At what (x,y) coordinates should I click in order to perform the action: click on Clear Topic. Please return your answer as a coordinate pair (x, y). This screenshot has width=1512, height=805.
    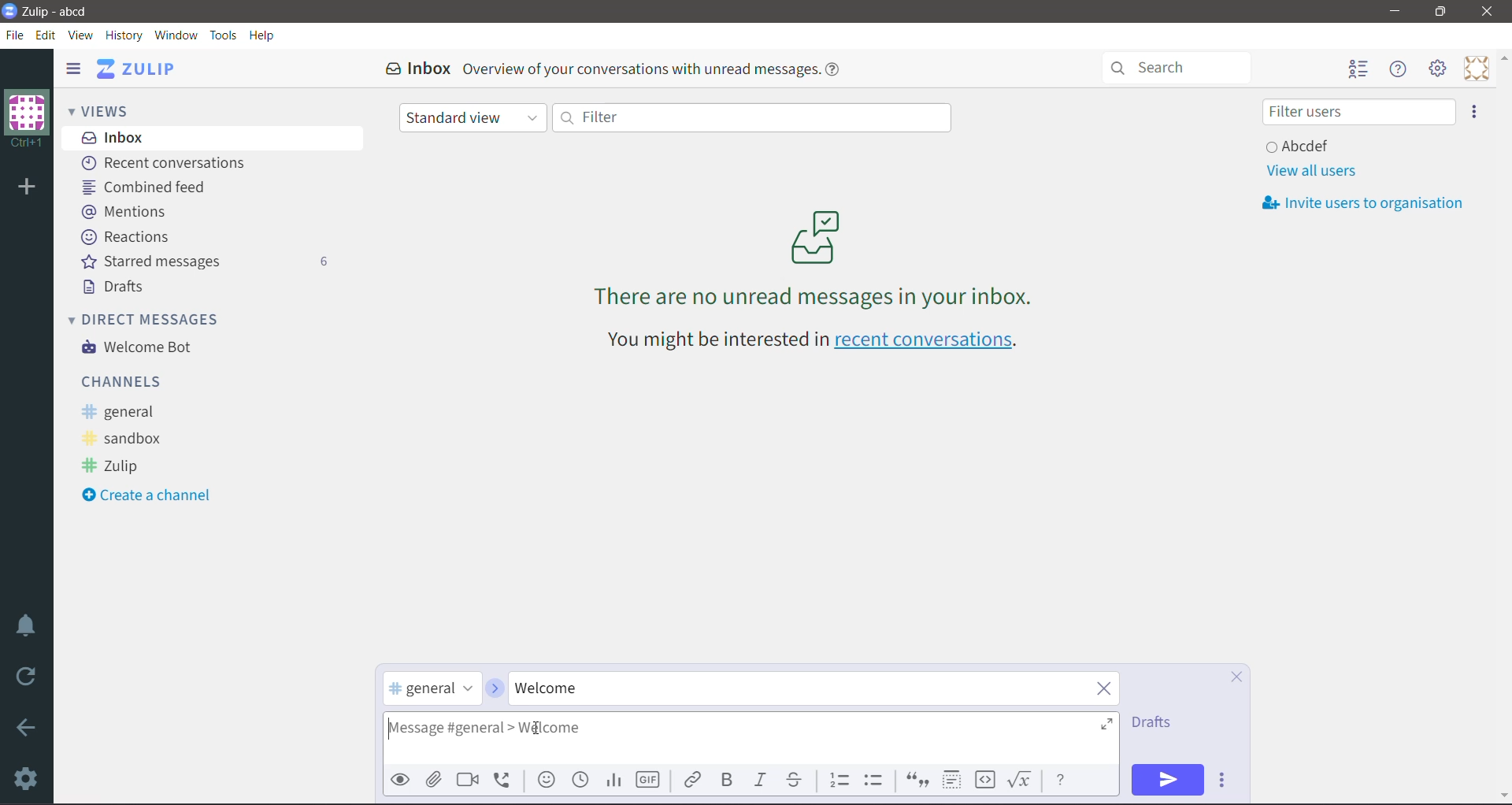
    Looking at the image, I should click on (1099, 689).